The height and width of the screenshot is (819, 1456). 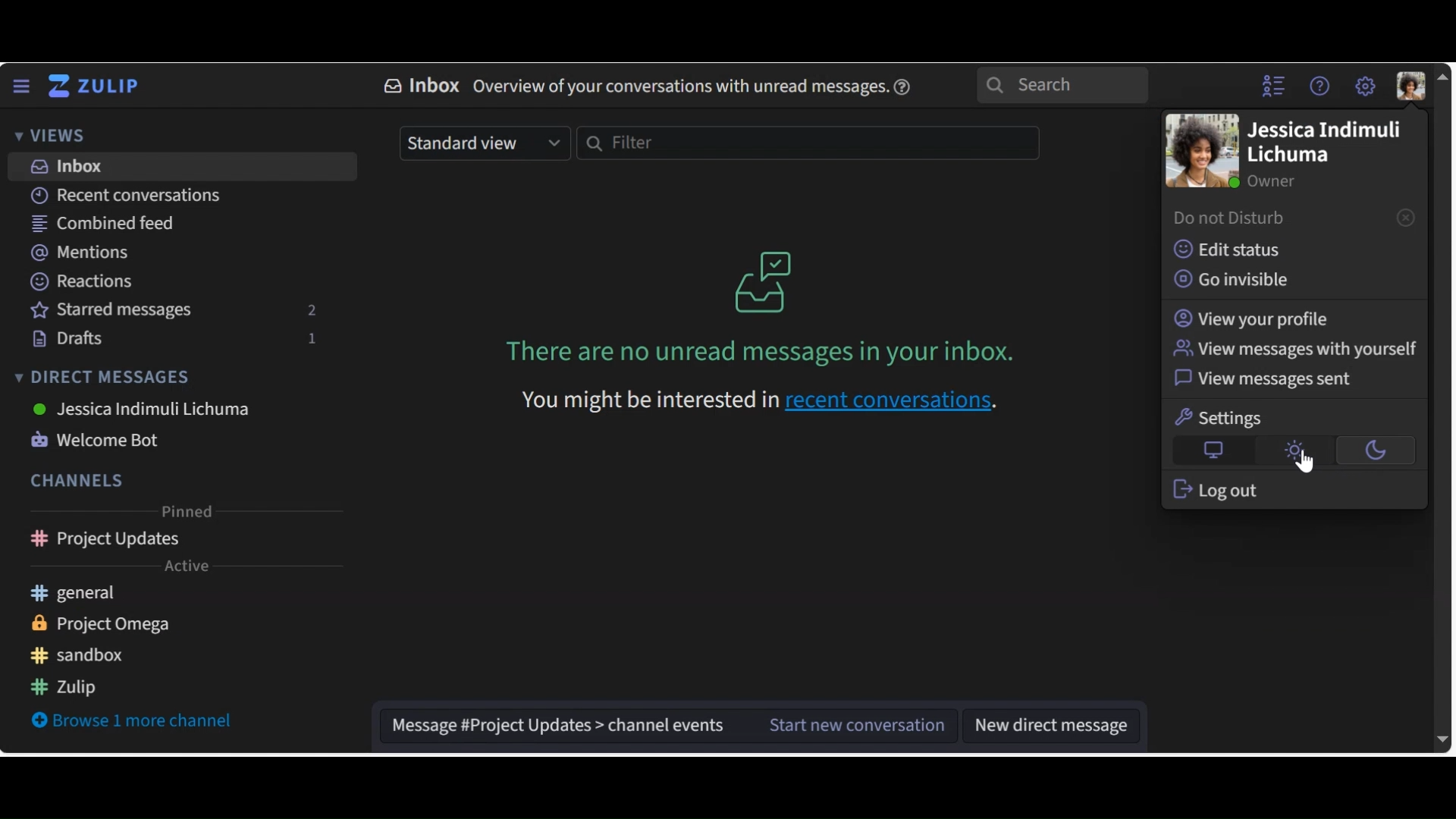 I want to click on Filter, so click(x=807, y=143).